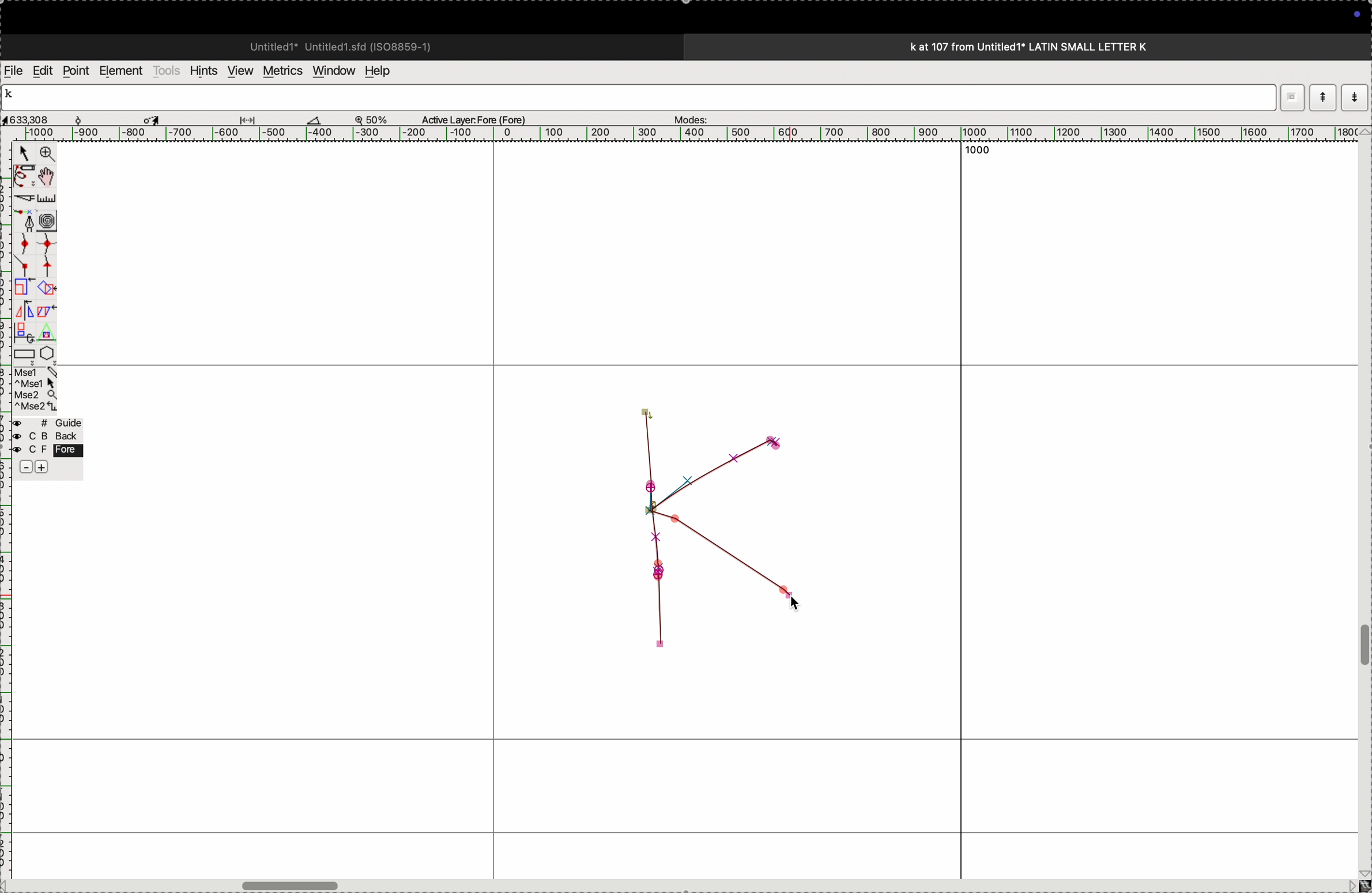  I want to click on co ordinates, so click(40, 116).